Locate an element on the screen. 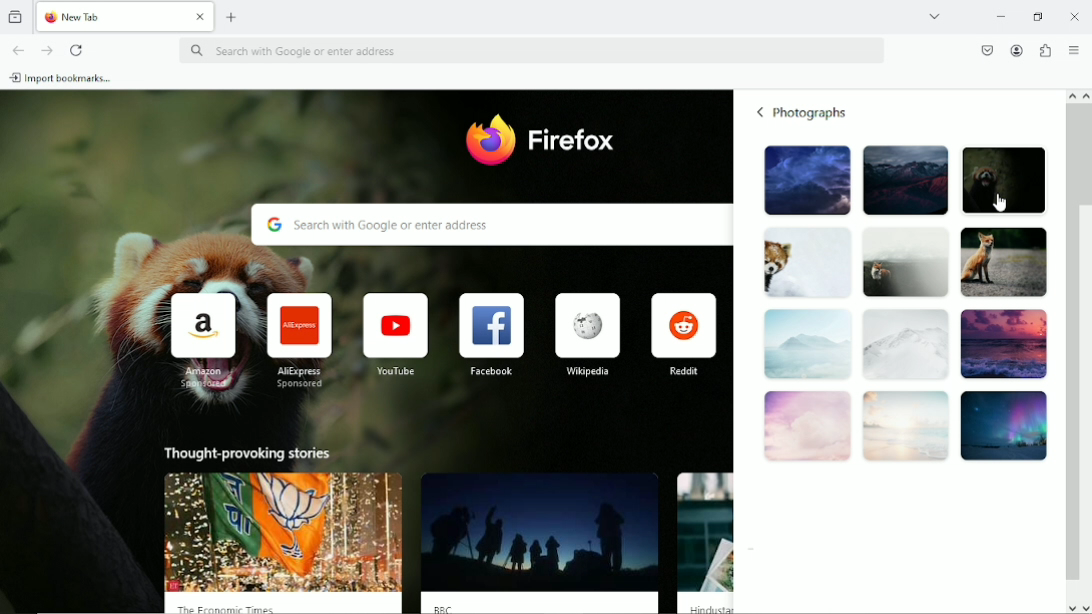 The image size is (1092, 614). Logo is located at coordinates (489, 141).